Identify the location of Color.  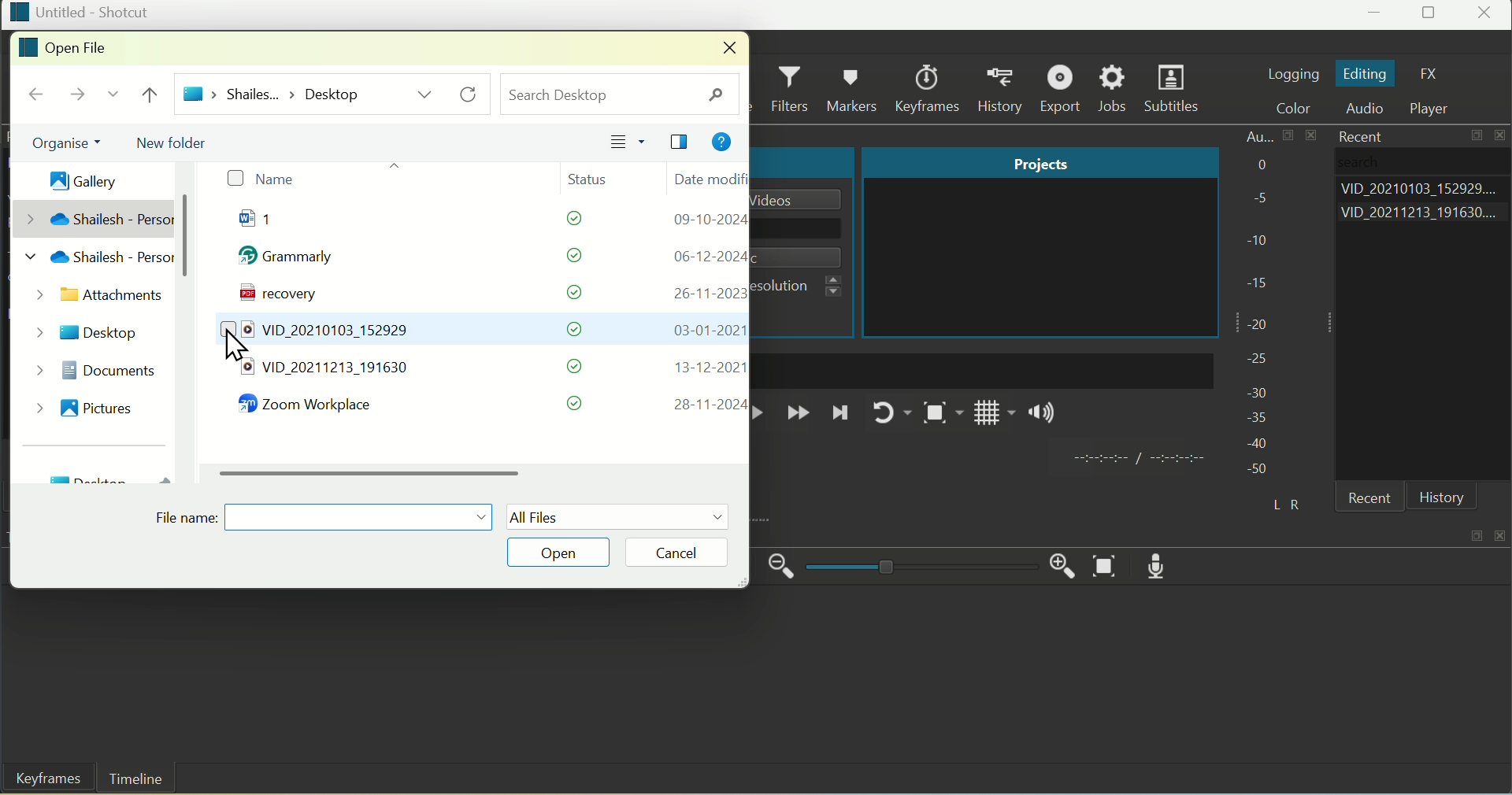
(1301, 109).